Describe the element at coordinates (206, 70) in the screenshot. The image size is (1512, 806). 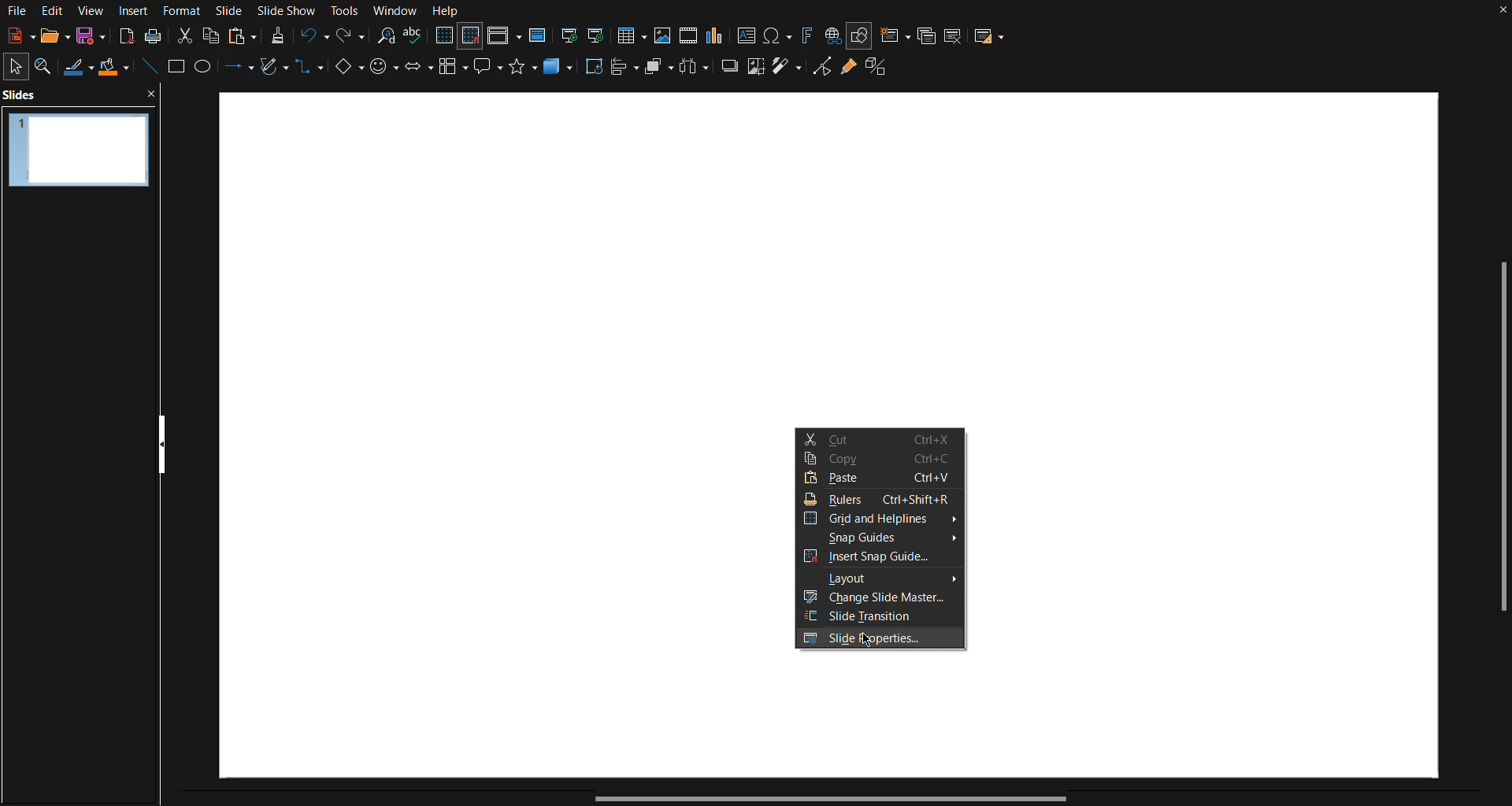
I see `Circle` at that location.